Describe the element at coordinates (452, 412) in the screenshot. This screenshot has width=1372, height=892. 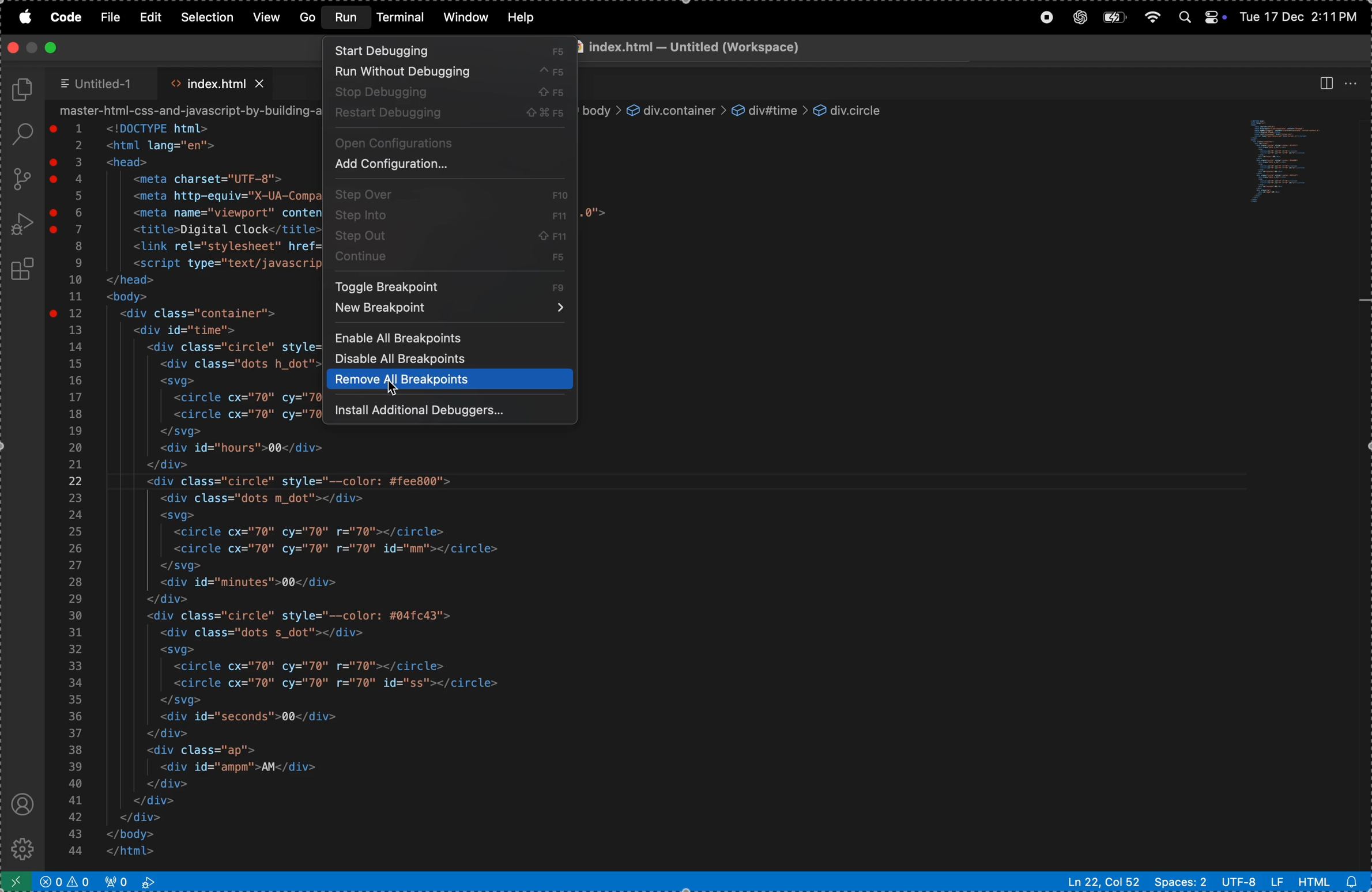
I see `install adttional debbuggers` at that location.